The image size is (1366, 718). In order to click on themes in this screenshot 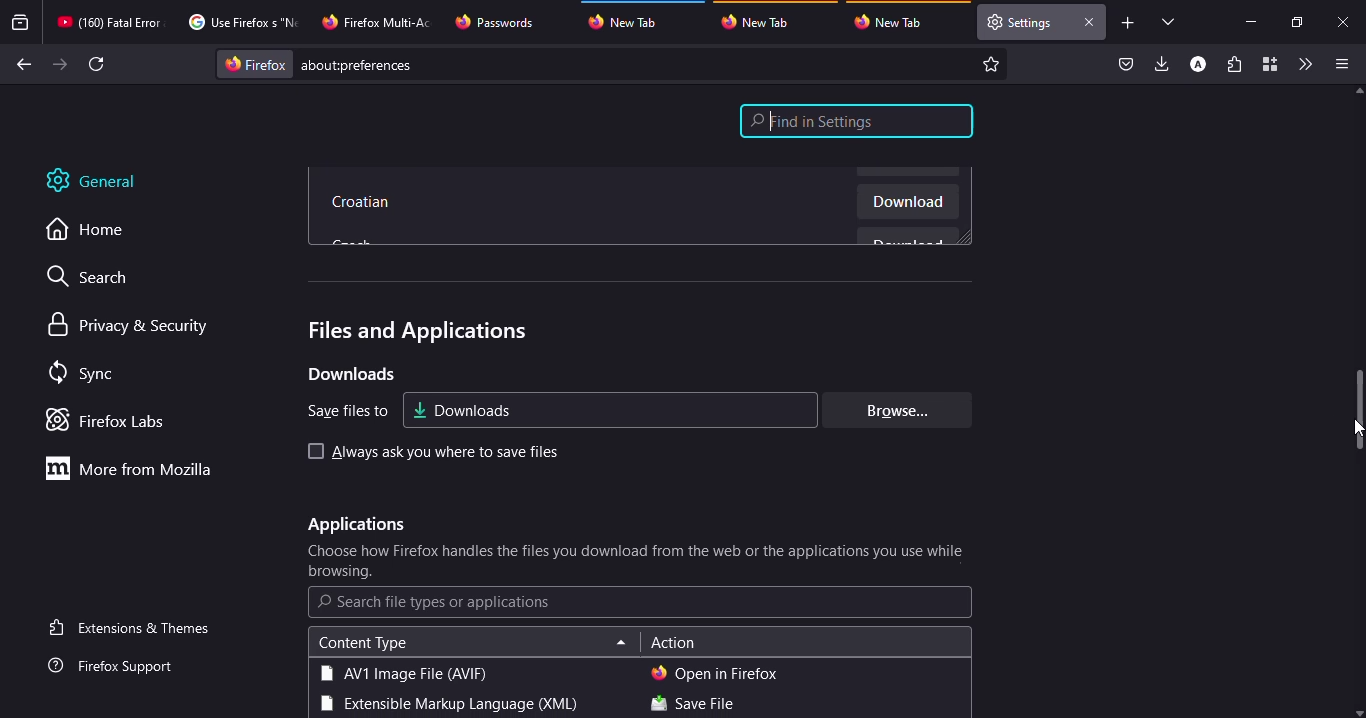, I will do `click(133, 627)`.